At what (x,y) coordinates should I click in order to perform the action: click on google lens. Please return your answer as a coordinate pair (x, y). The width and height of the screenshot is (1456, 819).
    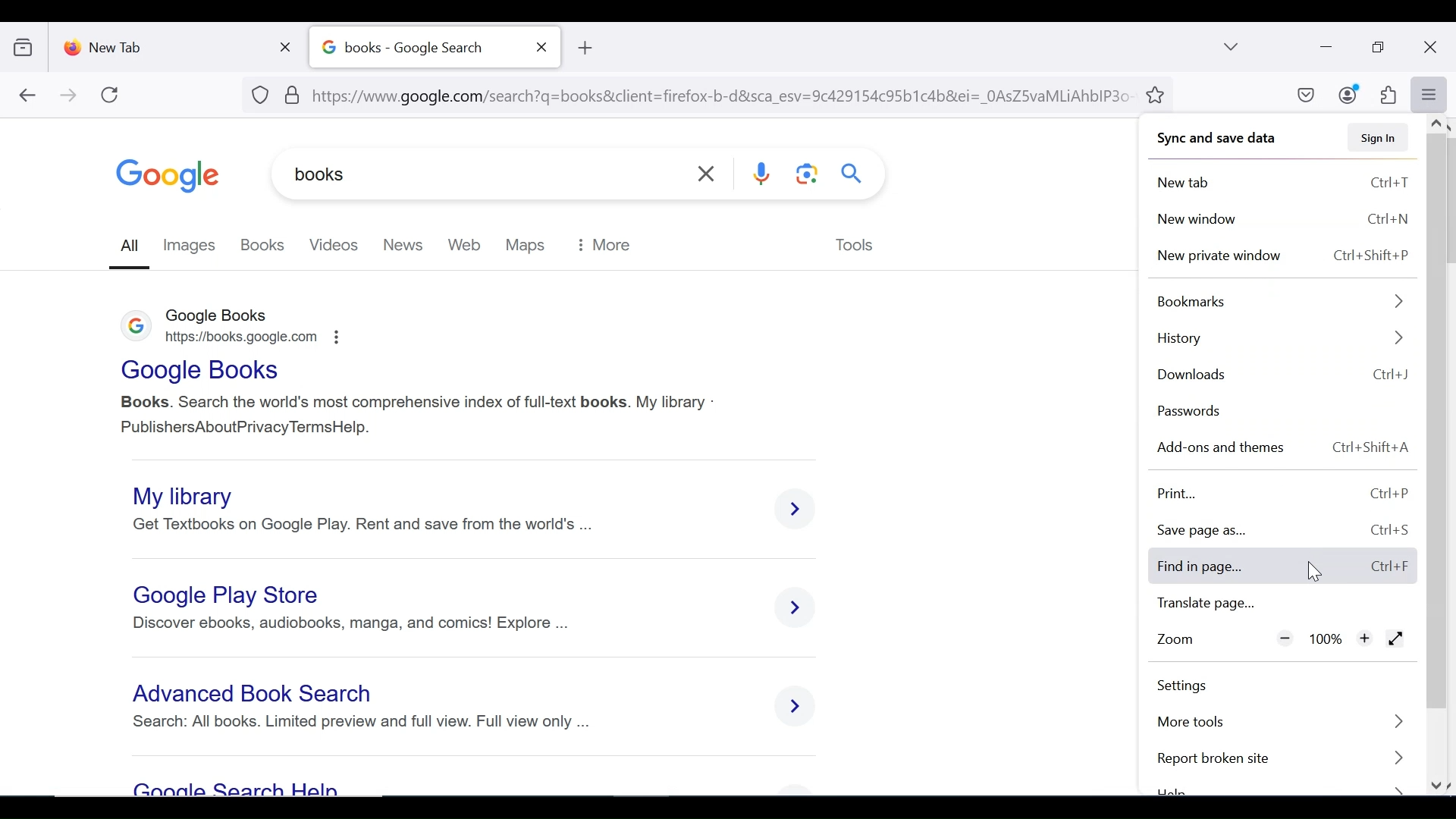
    Looking at the image, I should click on (805, 176).